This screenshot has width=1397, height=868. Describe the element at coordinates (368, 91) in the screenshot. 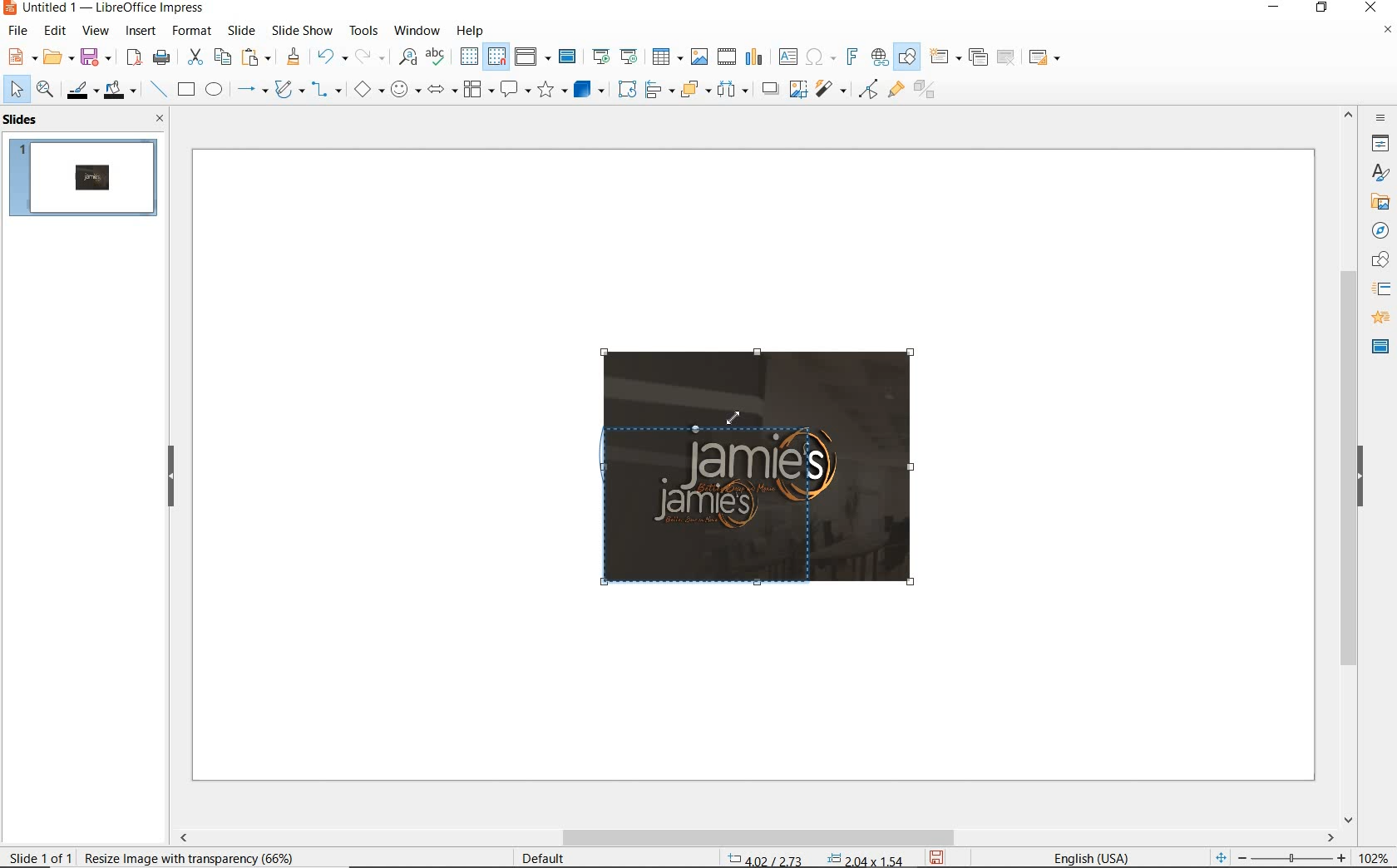

I see `basic shapes` at that location.